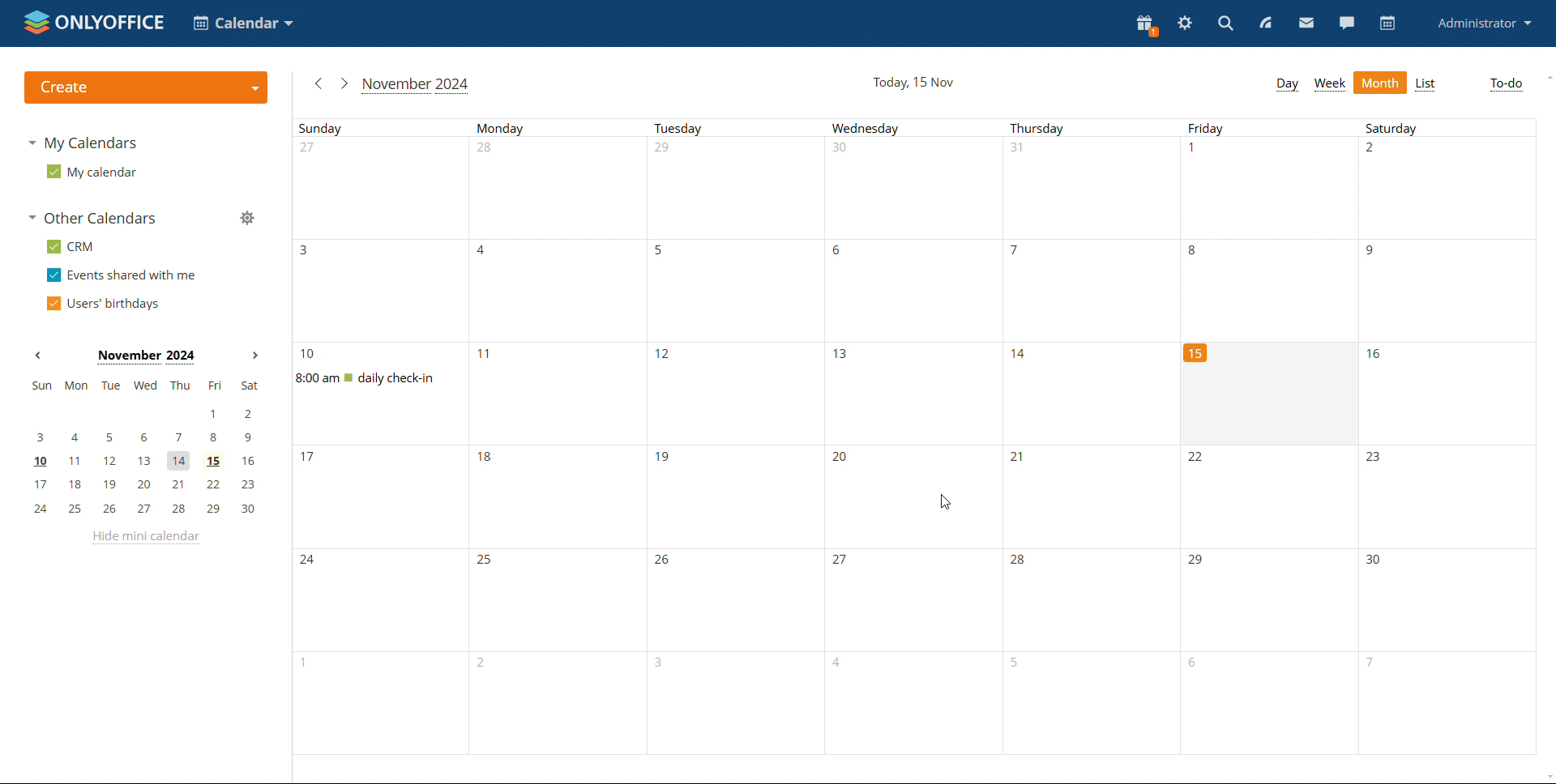 This screenshot has width=1556, height=784. Describe the element at coordinates (1386, 23) in the screenshot. I see `calendar` at that location.